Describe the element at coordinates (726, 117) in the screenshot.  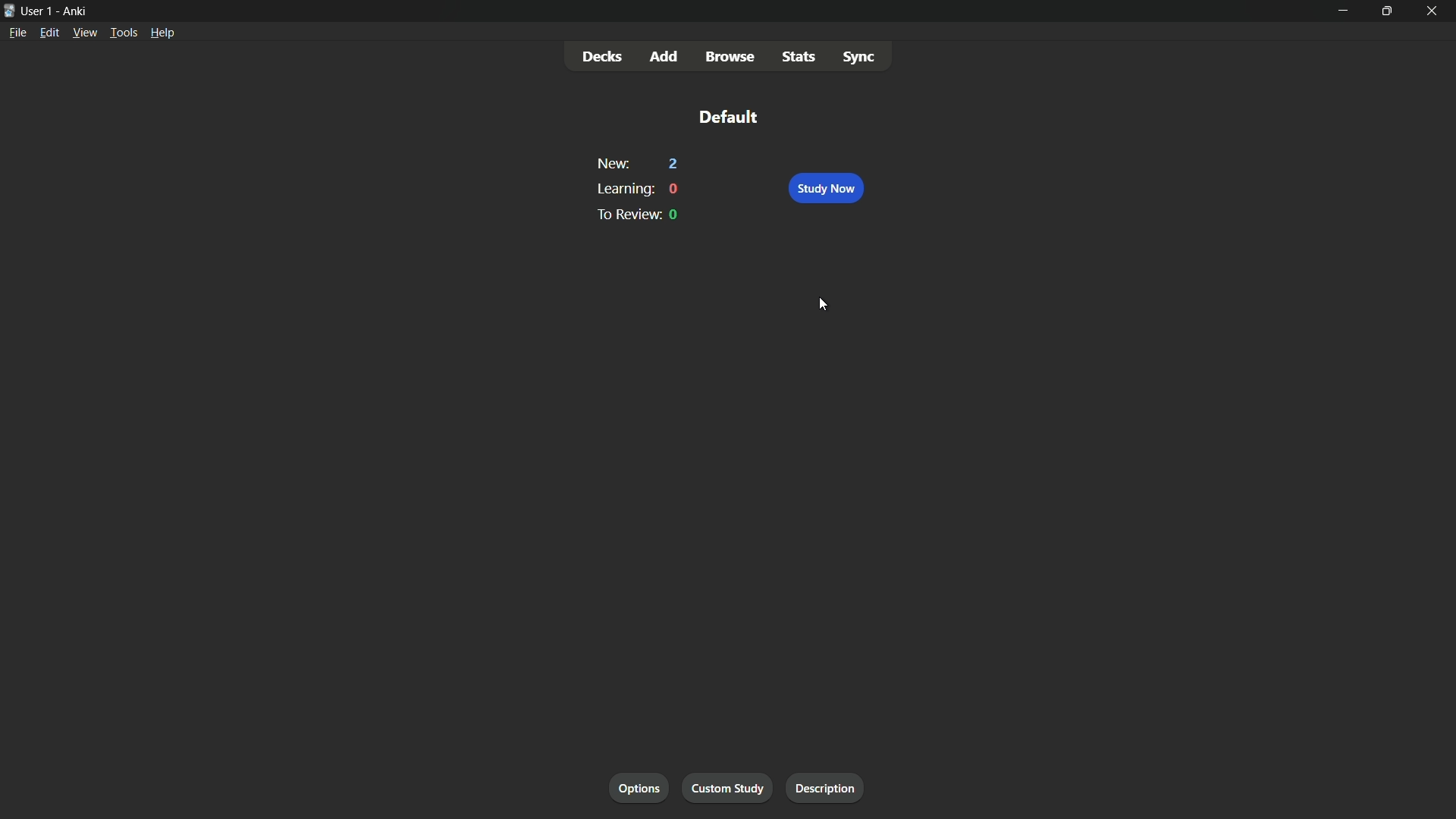
I see `default` at that location.